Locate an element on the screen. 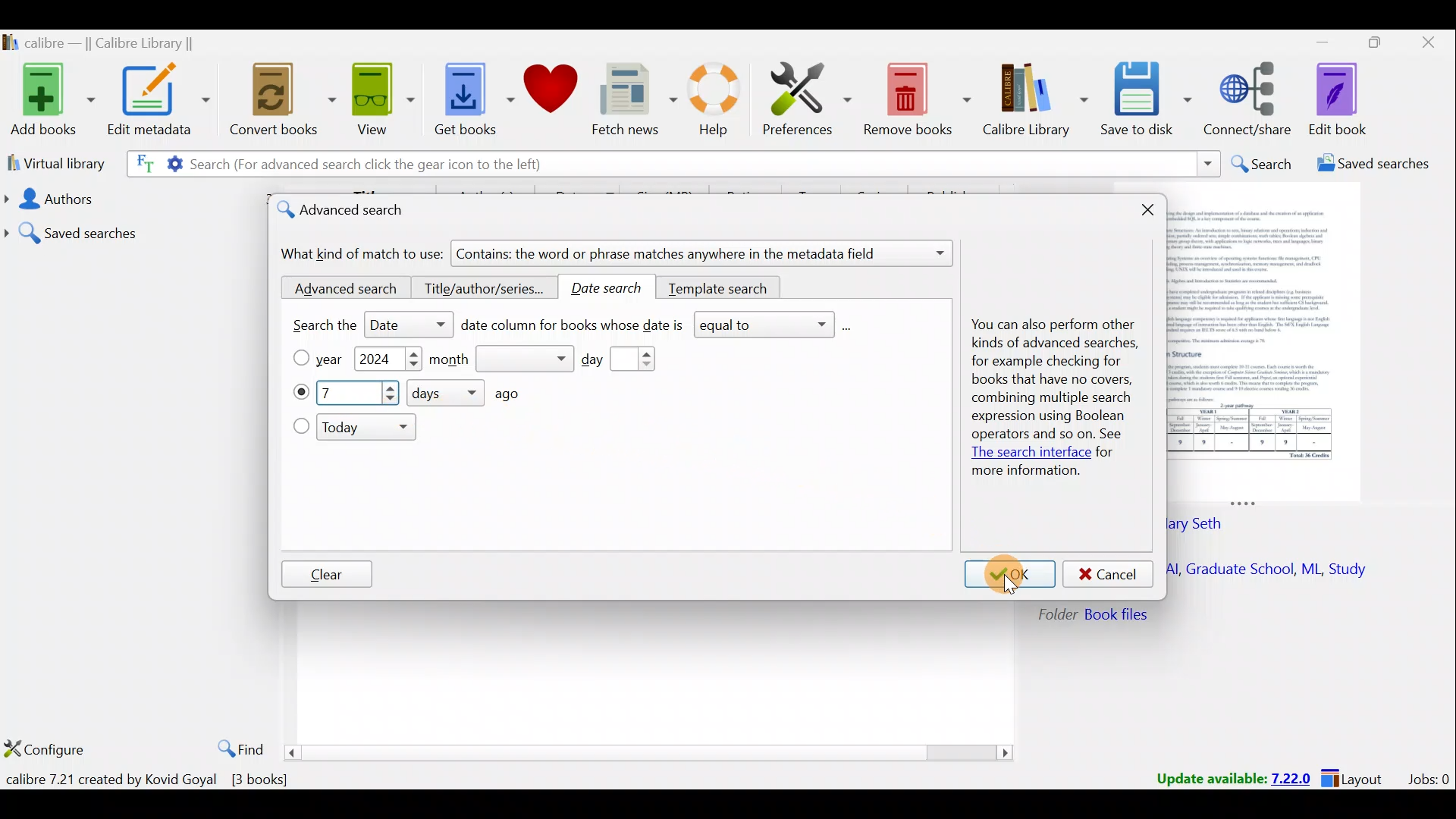  Connect/share is located at coordinates (1251, 100).